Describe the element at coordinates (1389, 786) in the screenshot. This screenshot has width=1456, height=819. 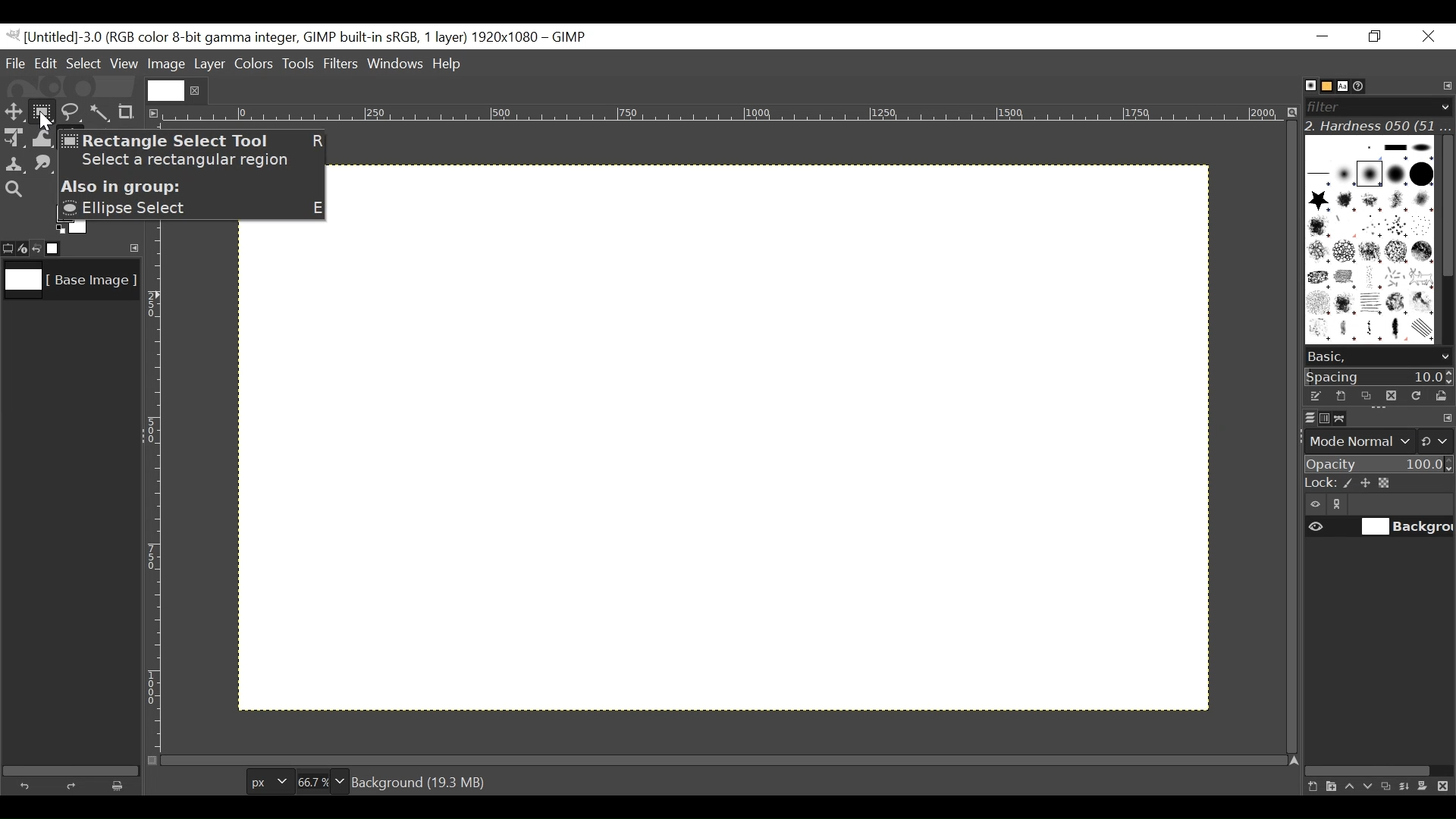
I see `Duplicate this layer` at that location.